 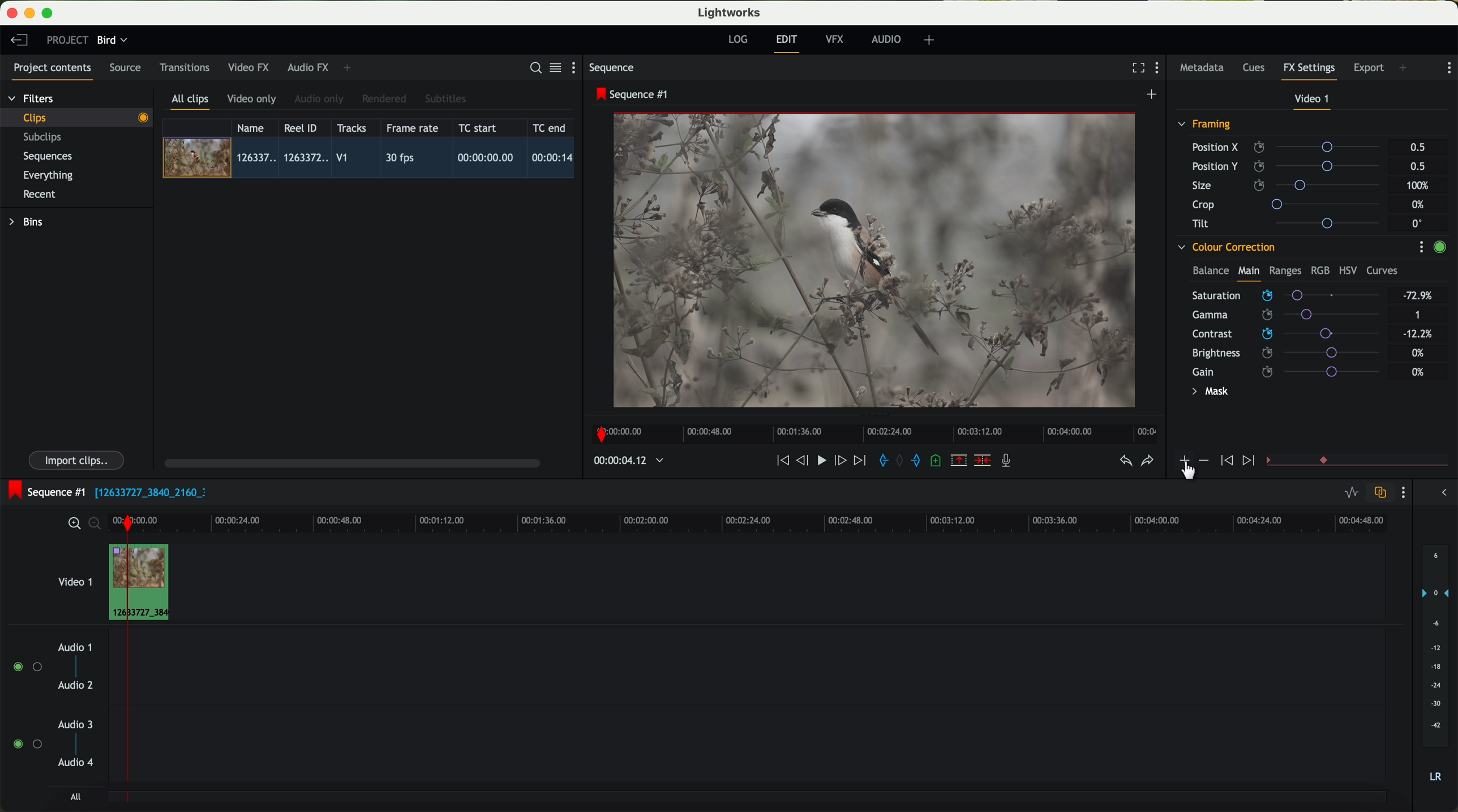 I want to click on main, so click(x=1249, y=273).